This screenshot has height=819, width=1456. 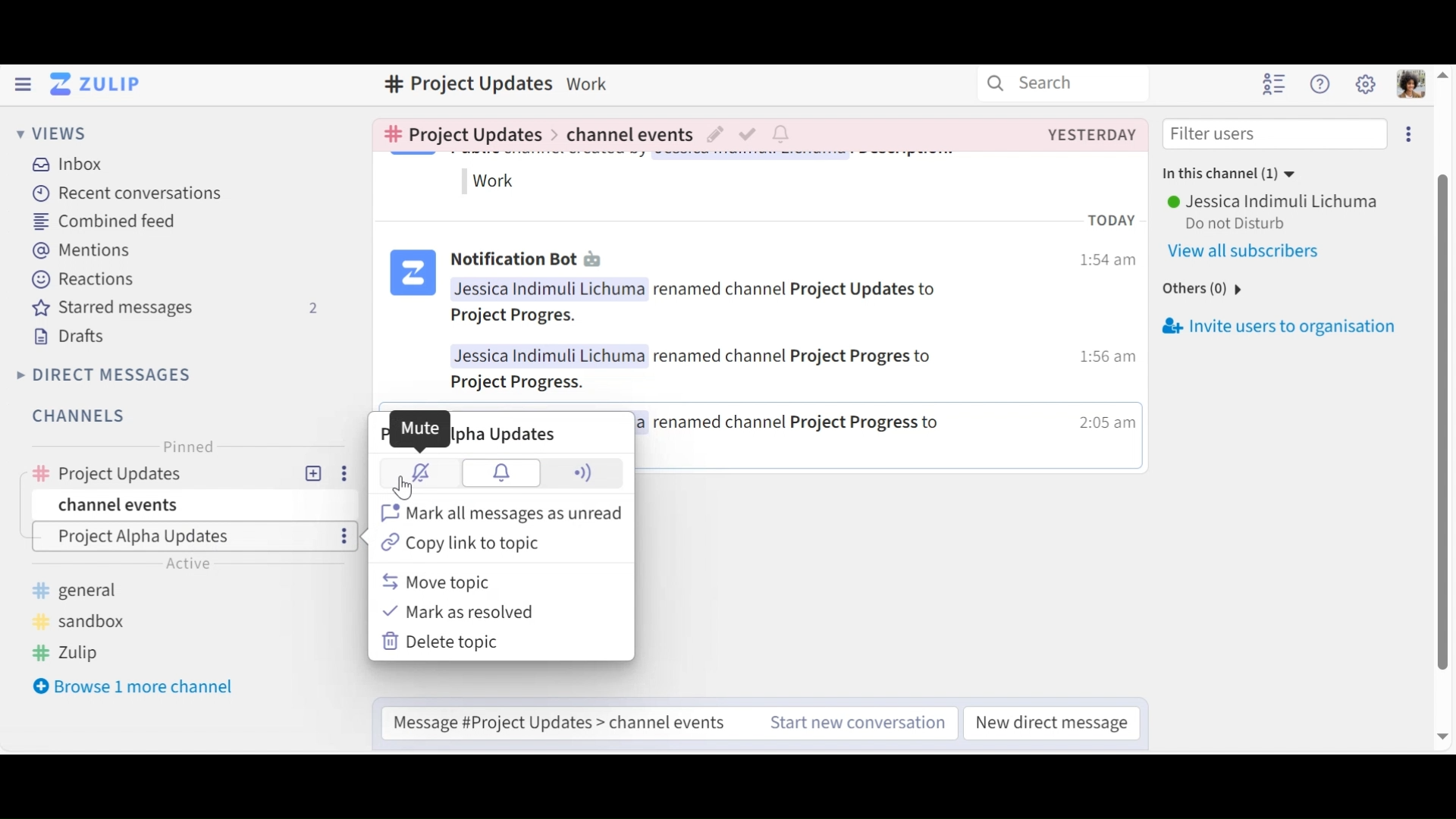 I want to click on , so click(x=585, y=474).